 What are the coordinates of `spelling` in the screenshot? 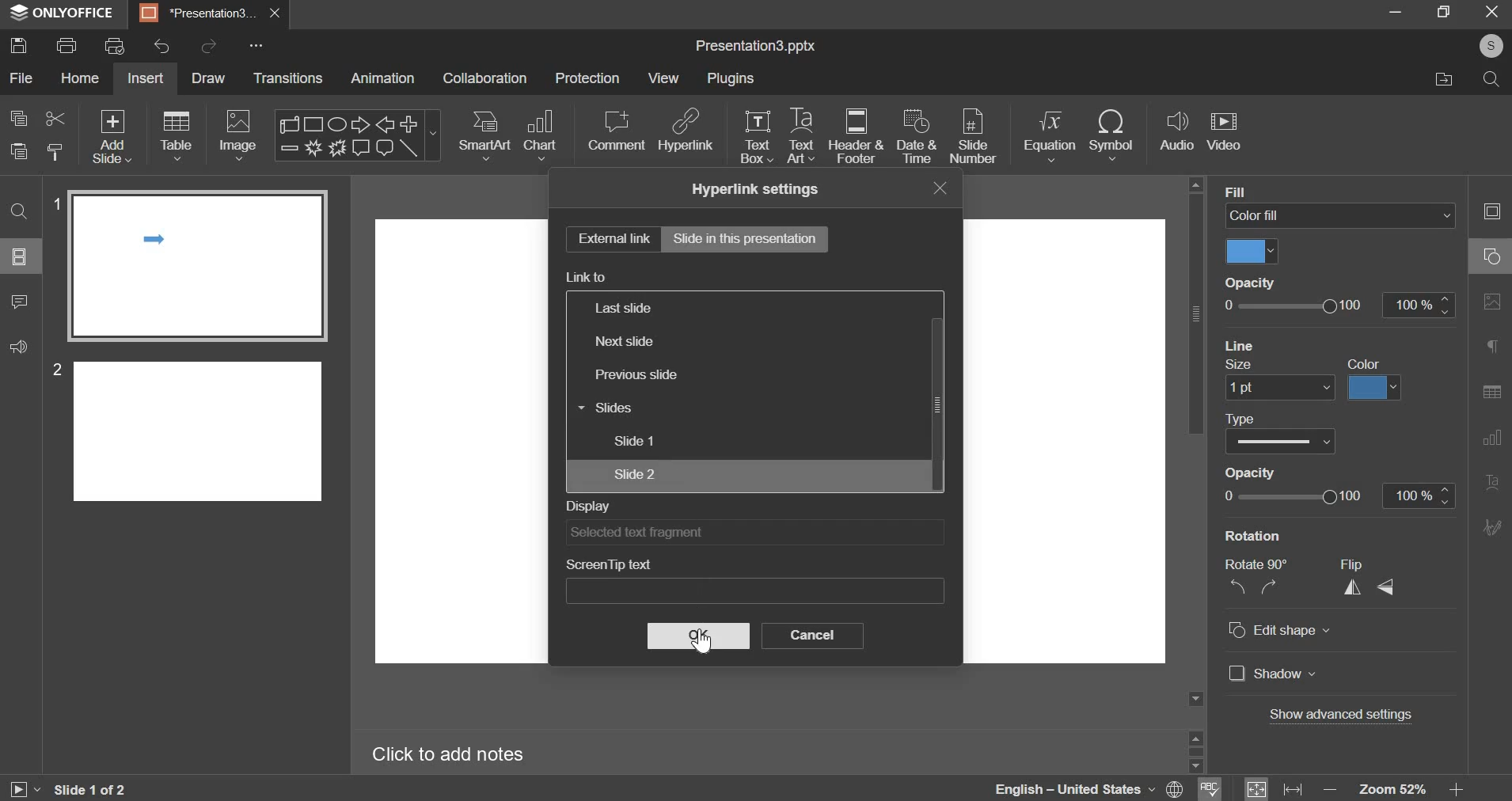 It's located at (1210, 788).